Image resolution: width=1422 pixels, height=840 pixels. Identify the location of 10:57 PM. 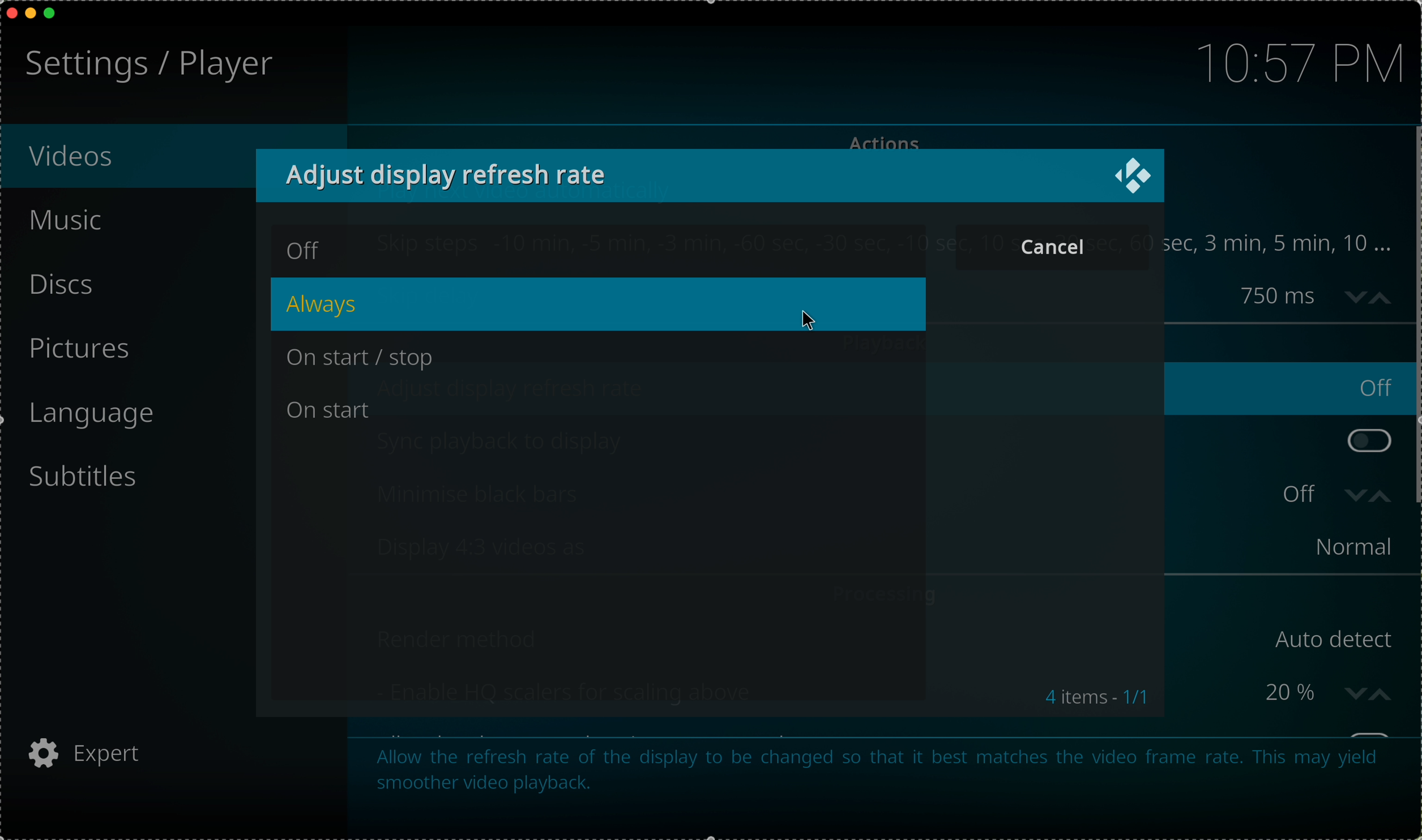
(1286, 65).